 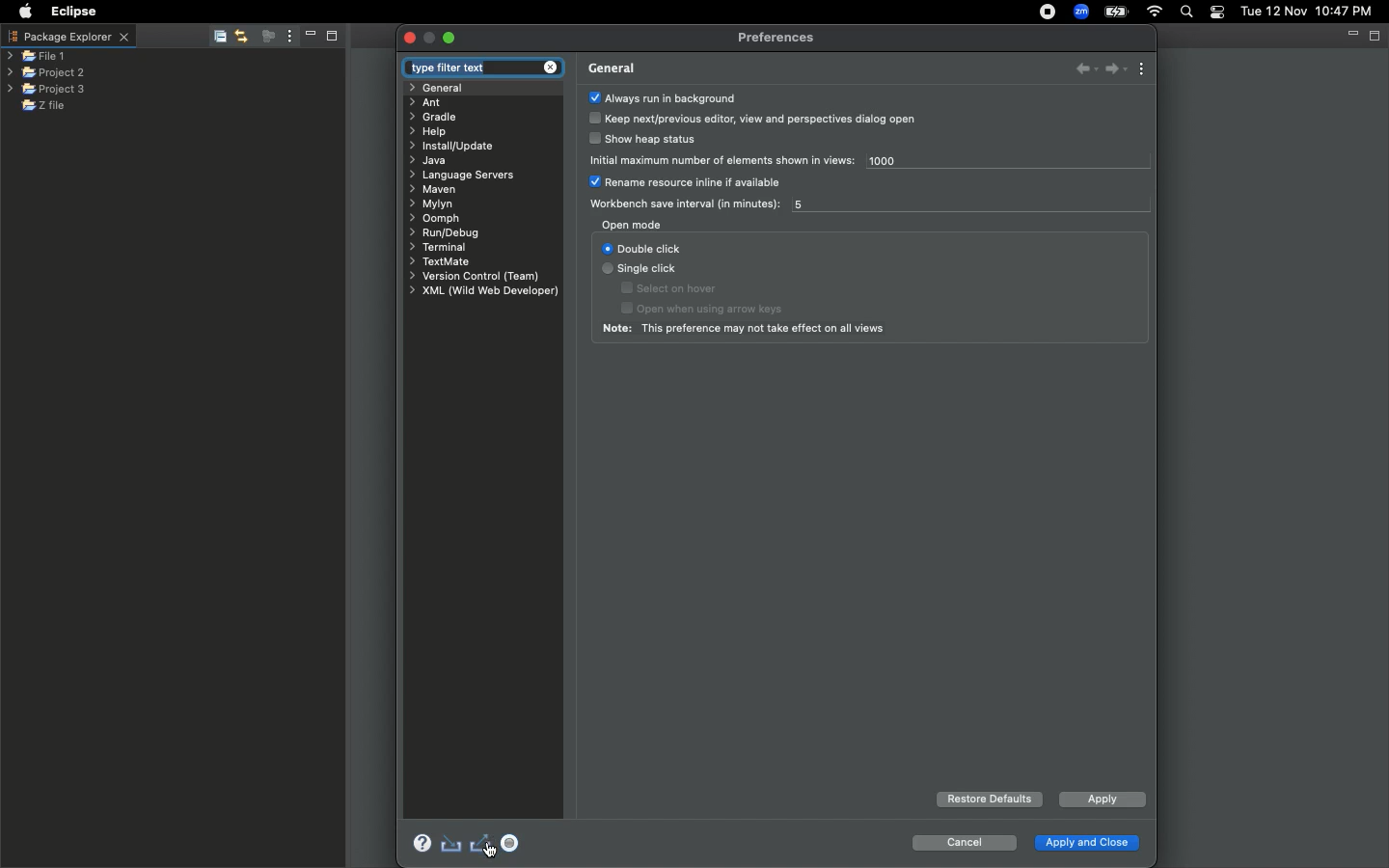 I want to click on Select on hover, so click(x=672, y=288).